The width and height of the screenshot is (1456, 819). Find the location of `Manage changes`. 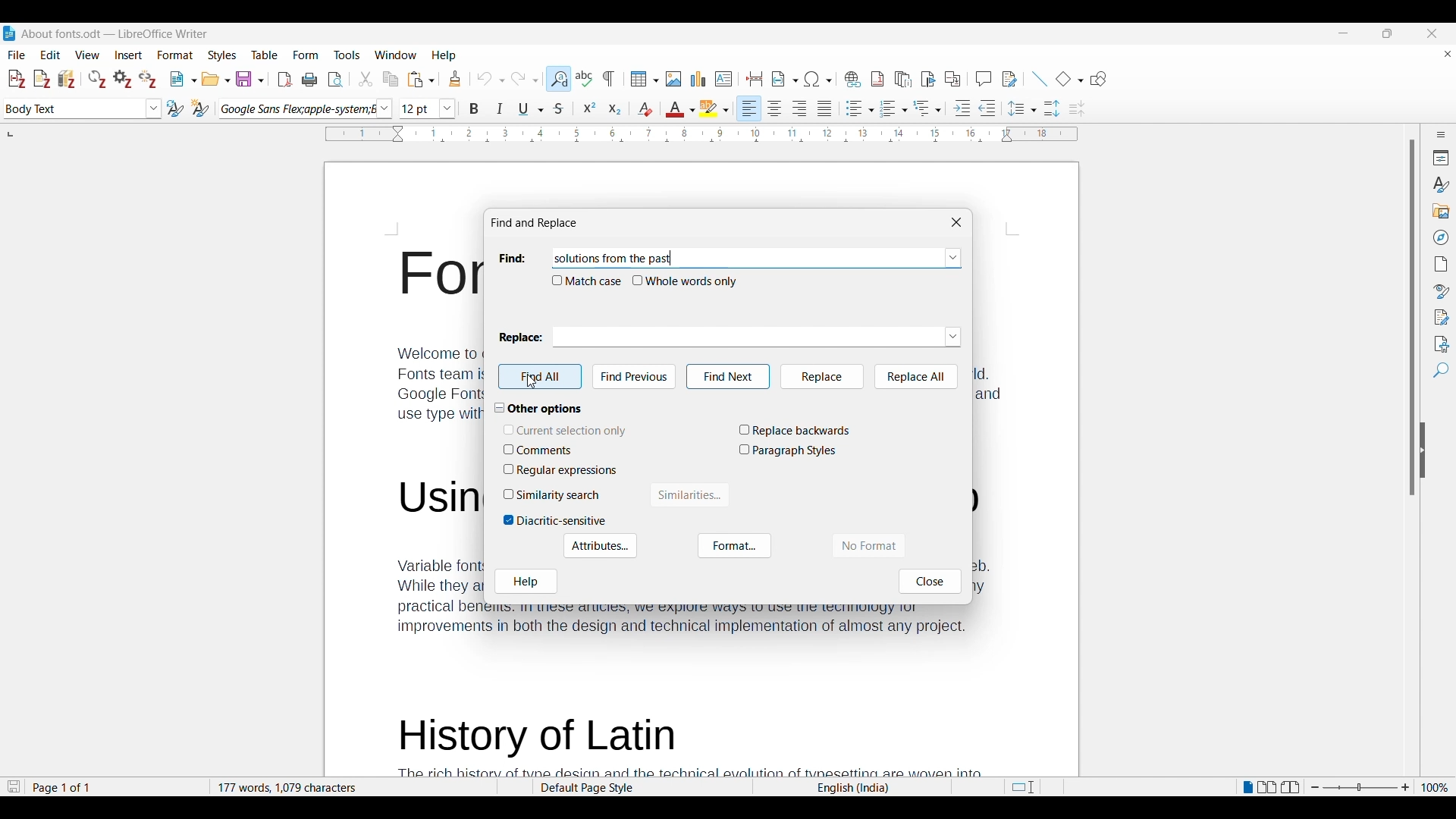

Manage changes is located at coordinates (1439, 318).